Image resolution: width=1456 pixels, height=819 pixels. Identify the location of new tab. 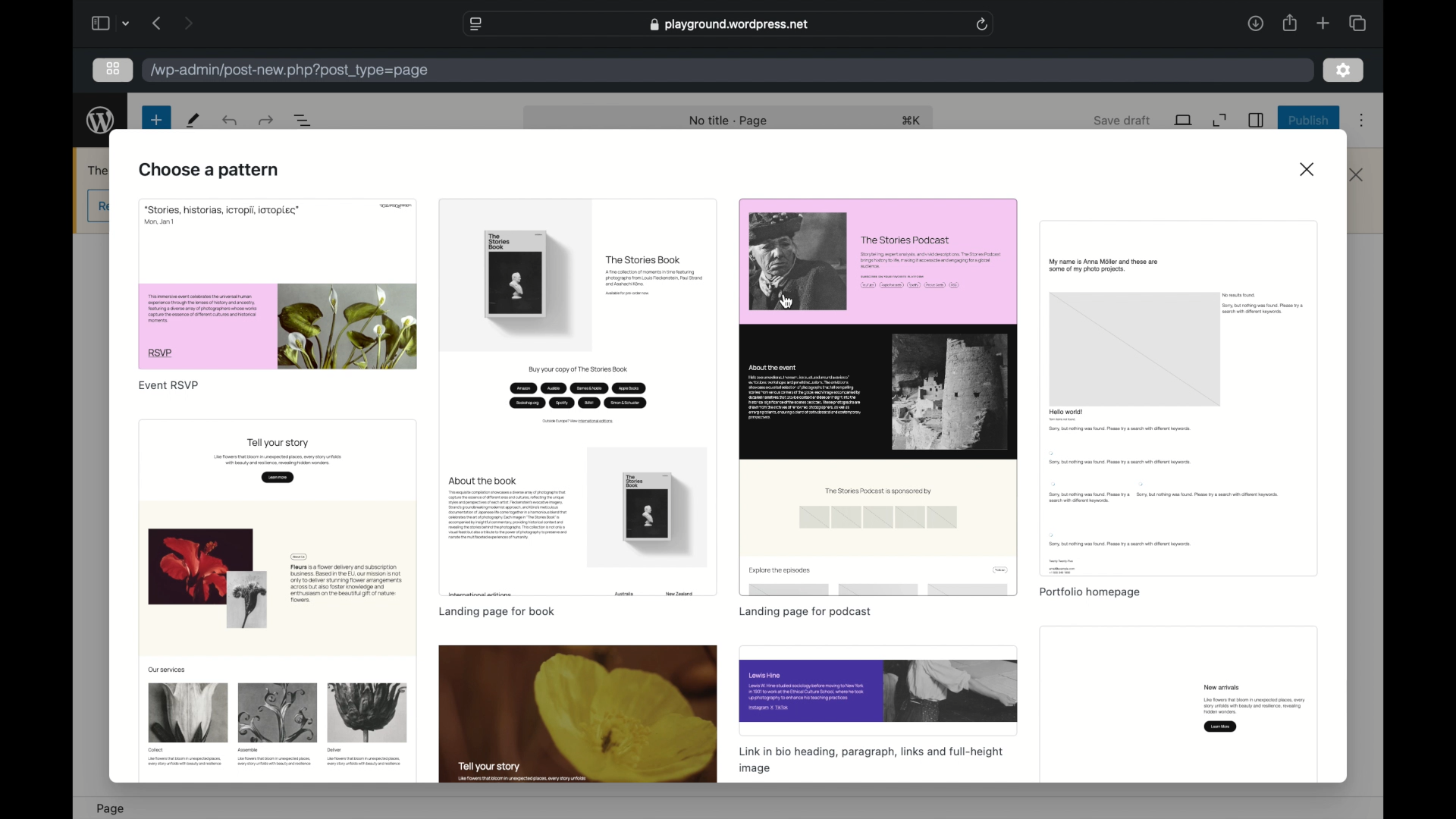
(1324, 24).